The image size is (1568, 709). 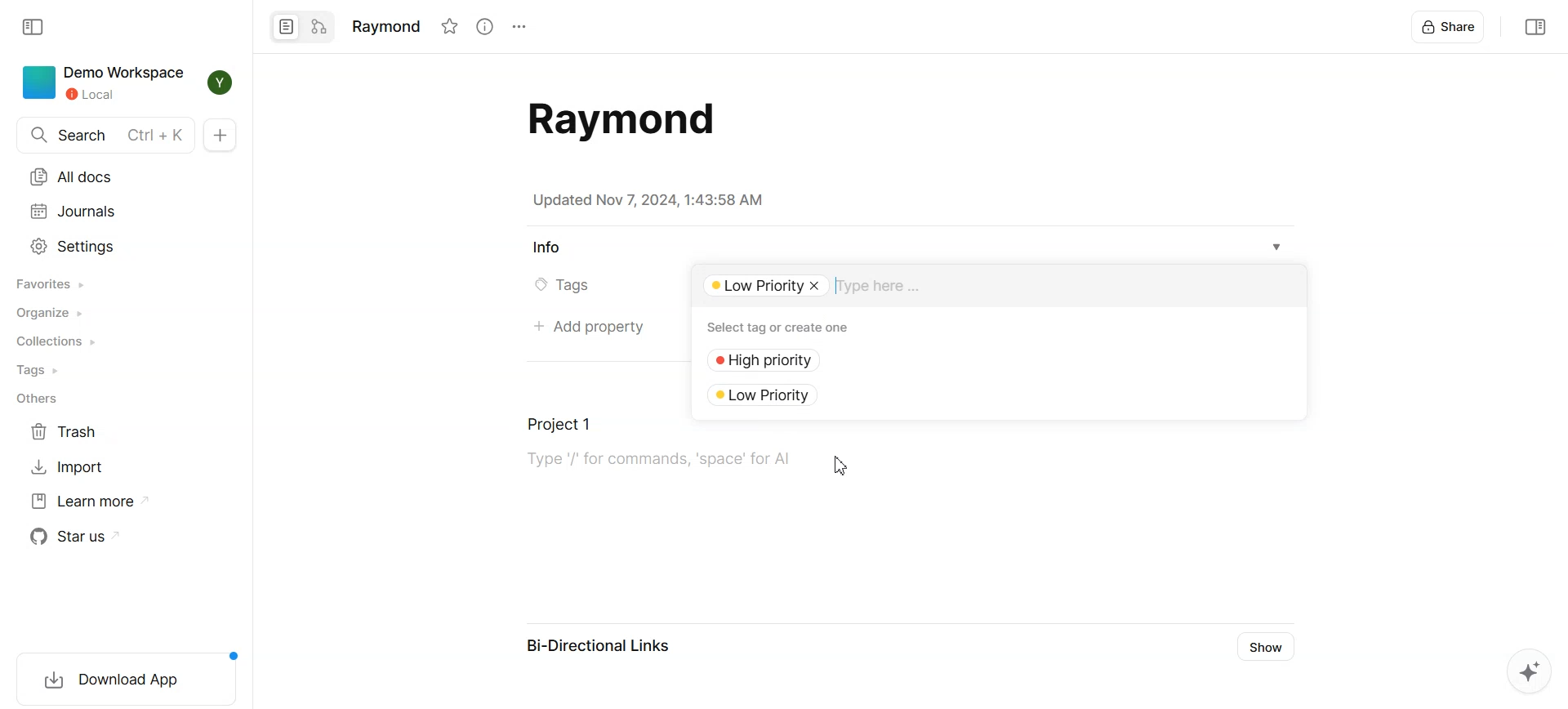 What do you see at coordinates (449, 26) in the screenshot?
I see `Favorite` at bounding box center [449, 26].